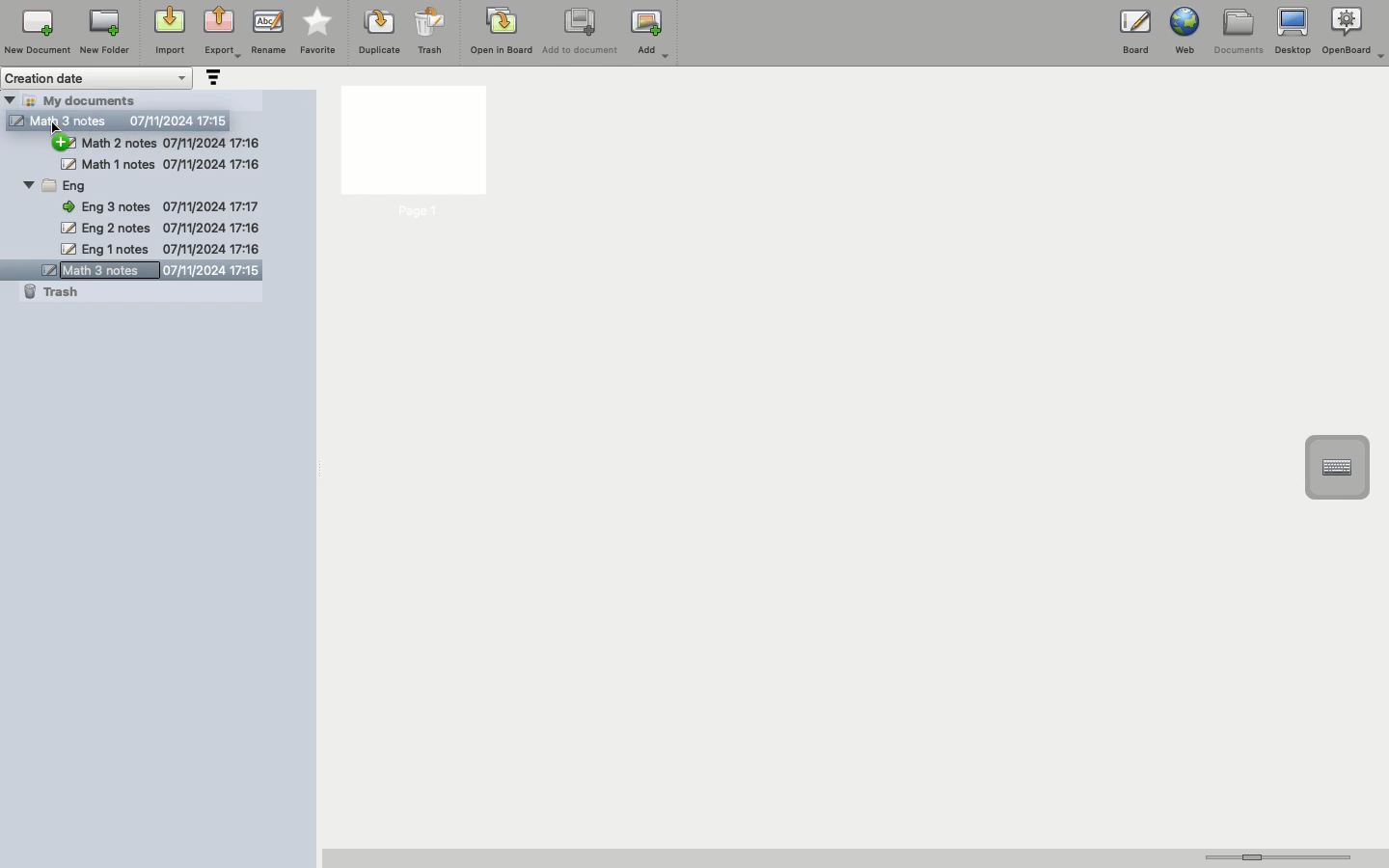  What do you see at coordinates (103, 33) in the screenshot?
I see `New folder` at bounding box center [103, 33].